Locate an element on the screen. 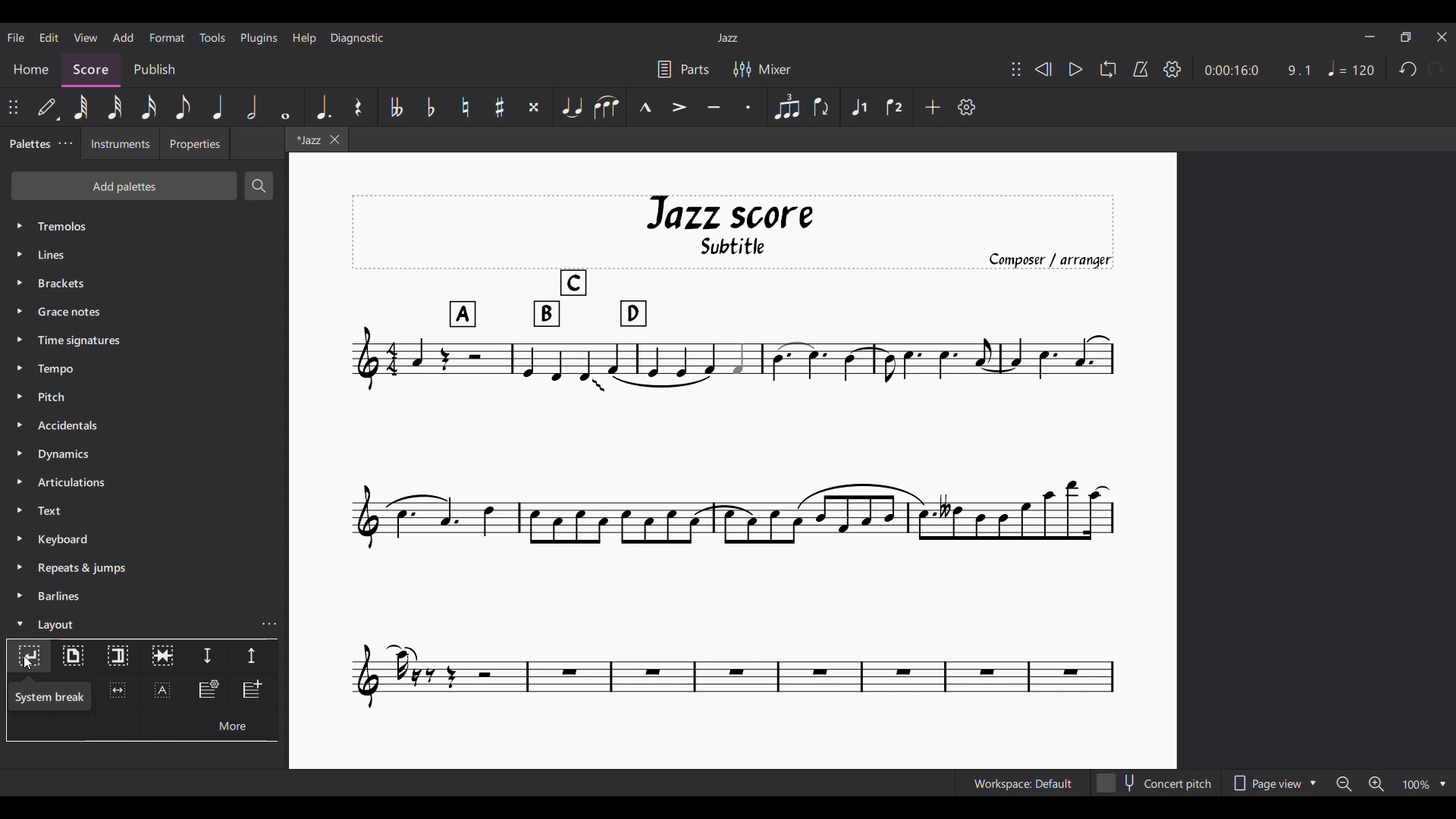 This screenshot has height=819, width=1456. Whole note is located at coordinates (286, 107).